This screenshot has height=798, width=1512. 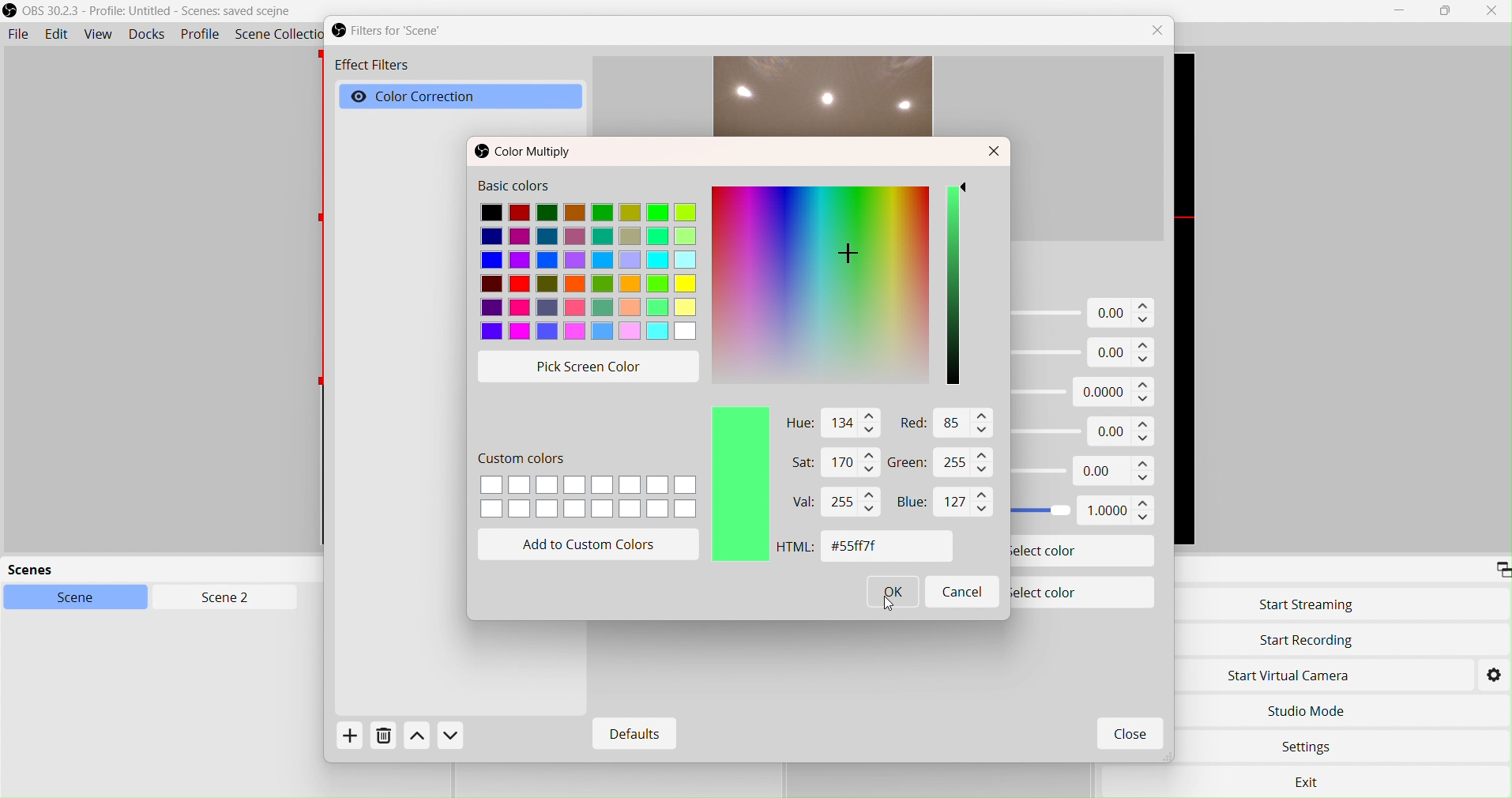 I want to click on Close, so click(x=995, y=152).